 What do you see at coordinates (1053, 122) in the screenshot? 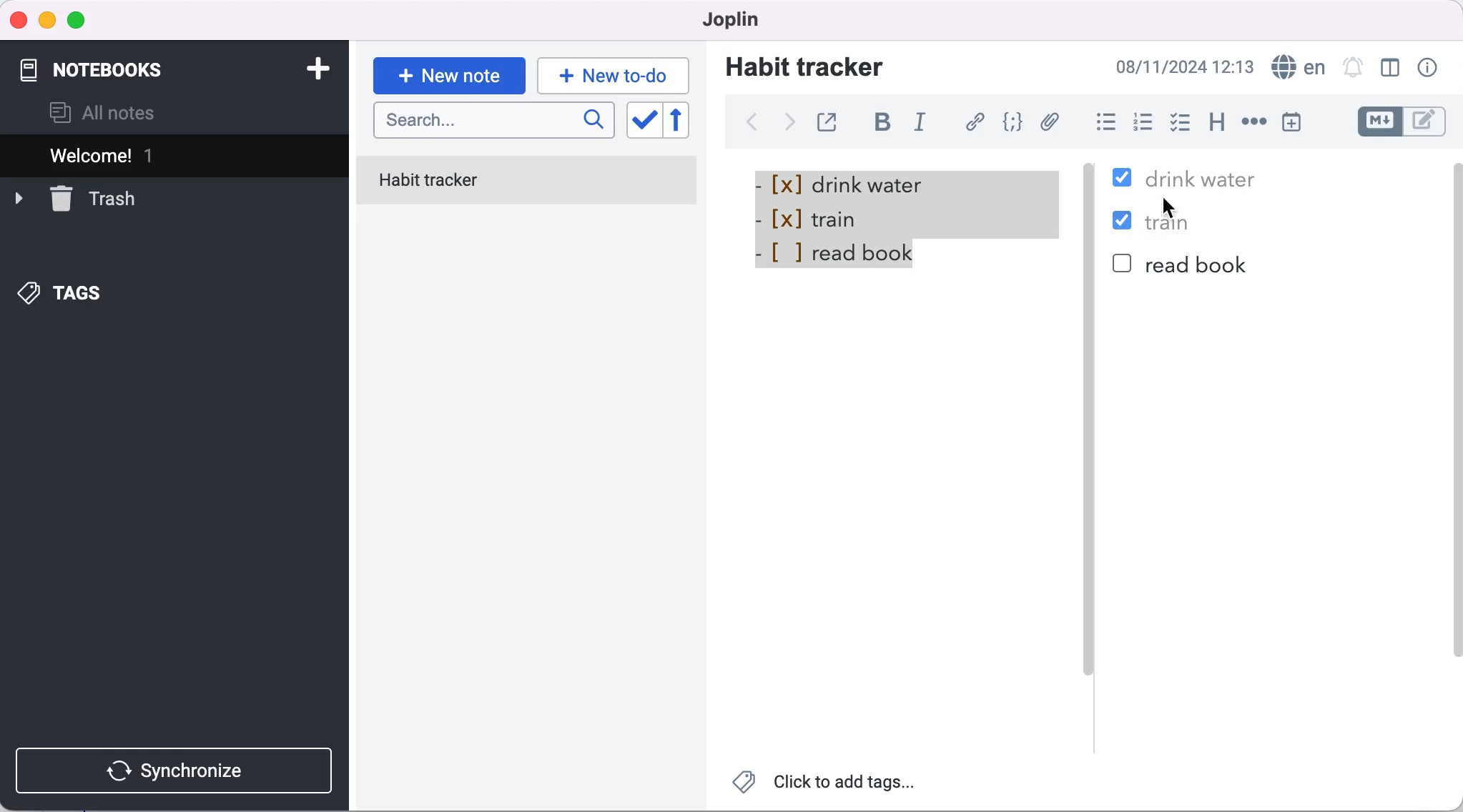
I see `attach file` at bounding box center [1053, 122].